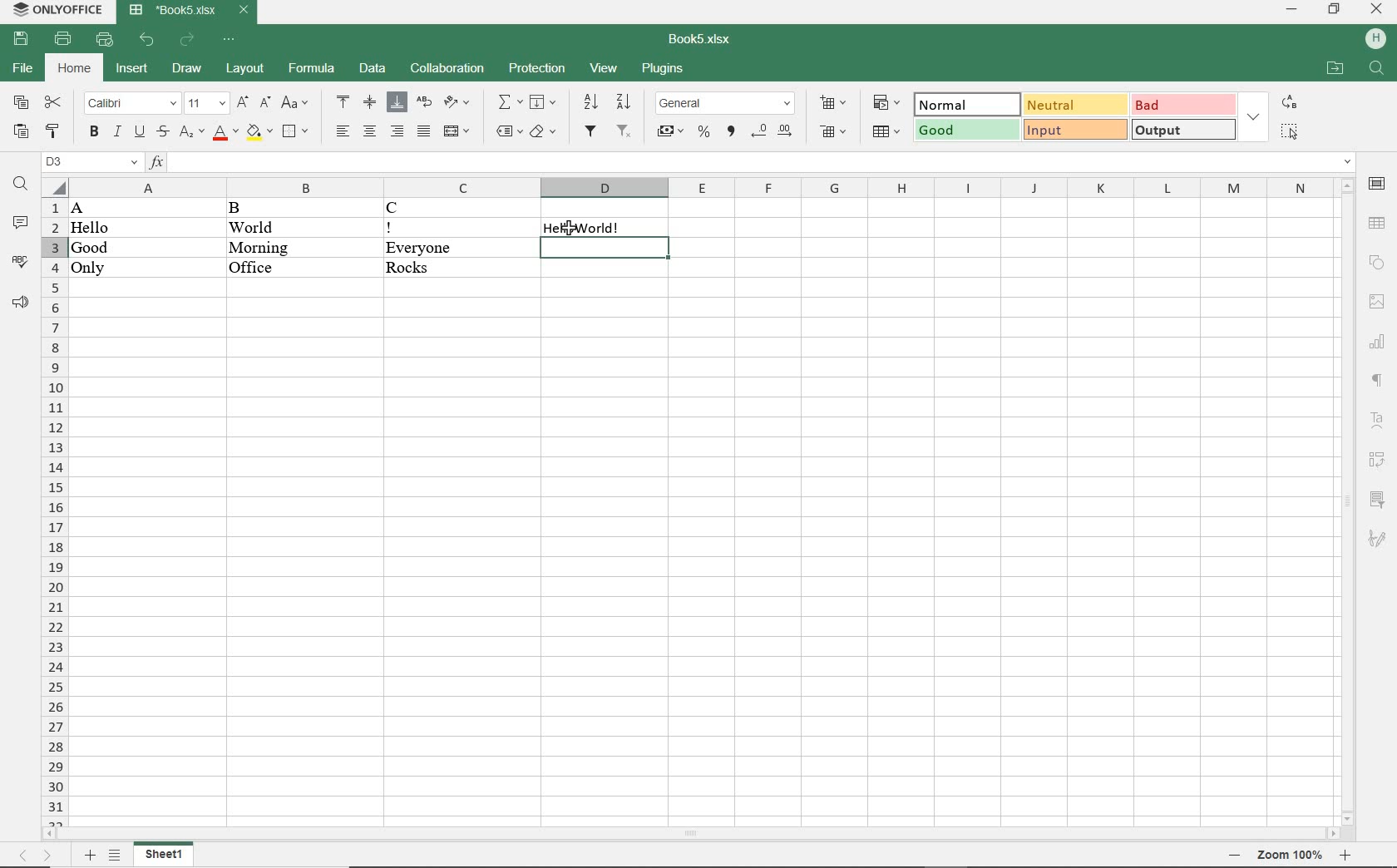 This screenshot has width=1397, height=868. I want to click on ALIGN TOP, so click(344, 101).